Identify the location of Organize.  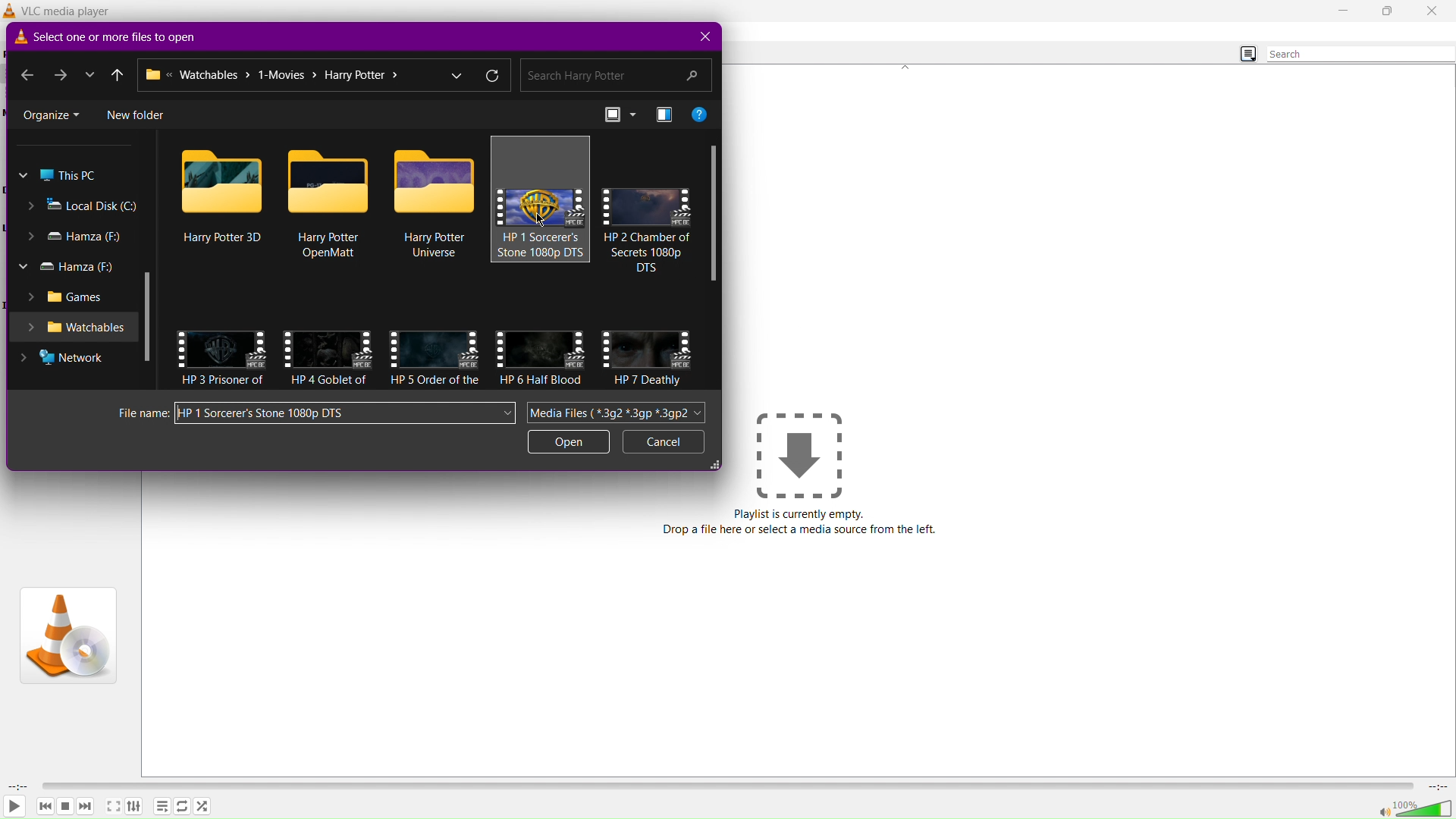
(52, 114).